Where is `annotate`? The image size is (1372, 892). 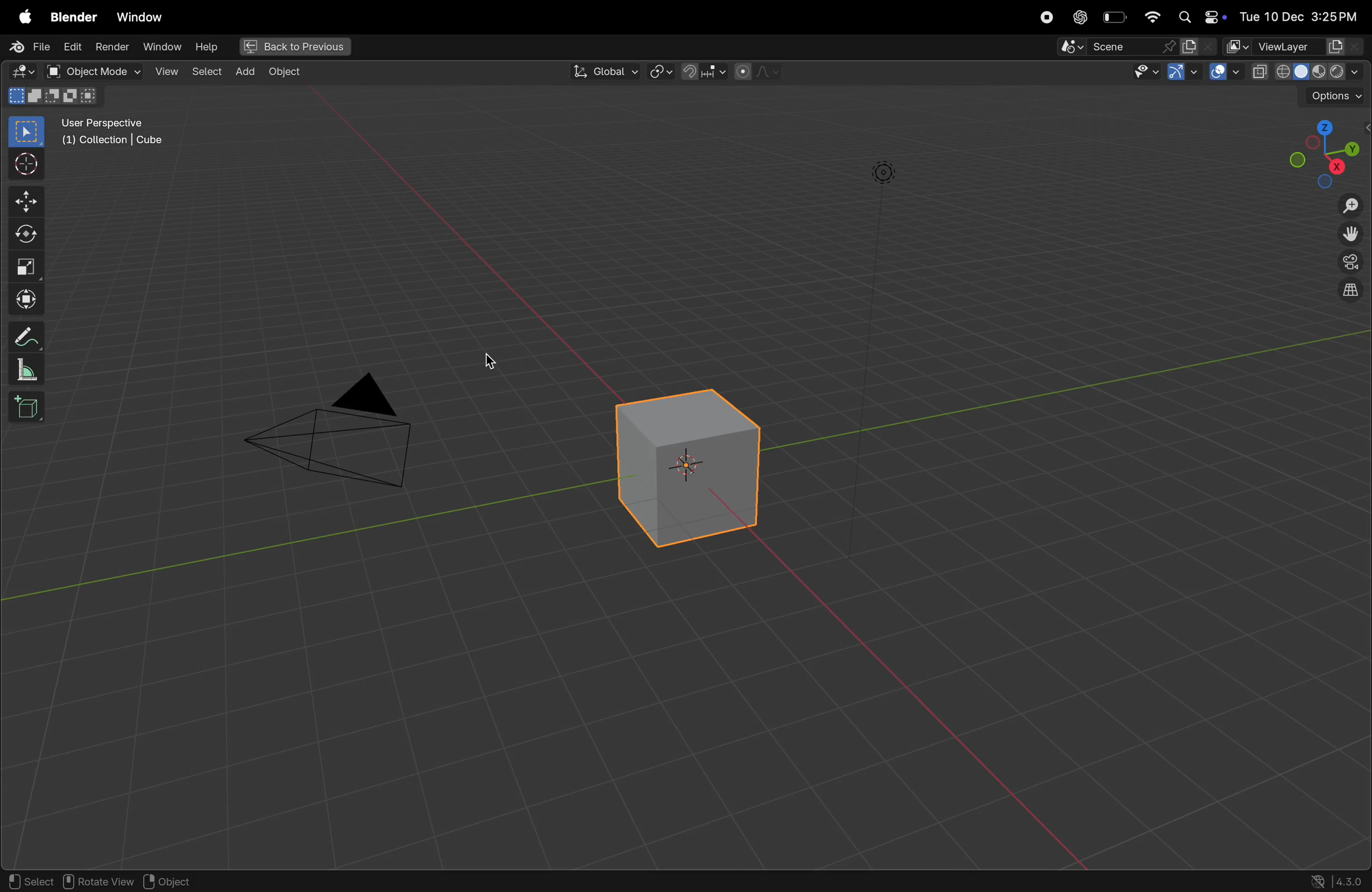 annotate is located at coordinates (25, 339).